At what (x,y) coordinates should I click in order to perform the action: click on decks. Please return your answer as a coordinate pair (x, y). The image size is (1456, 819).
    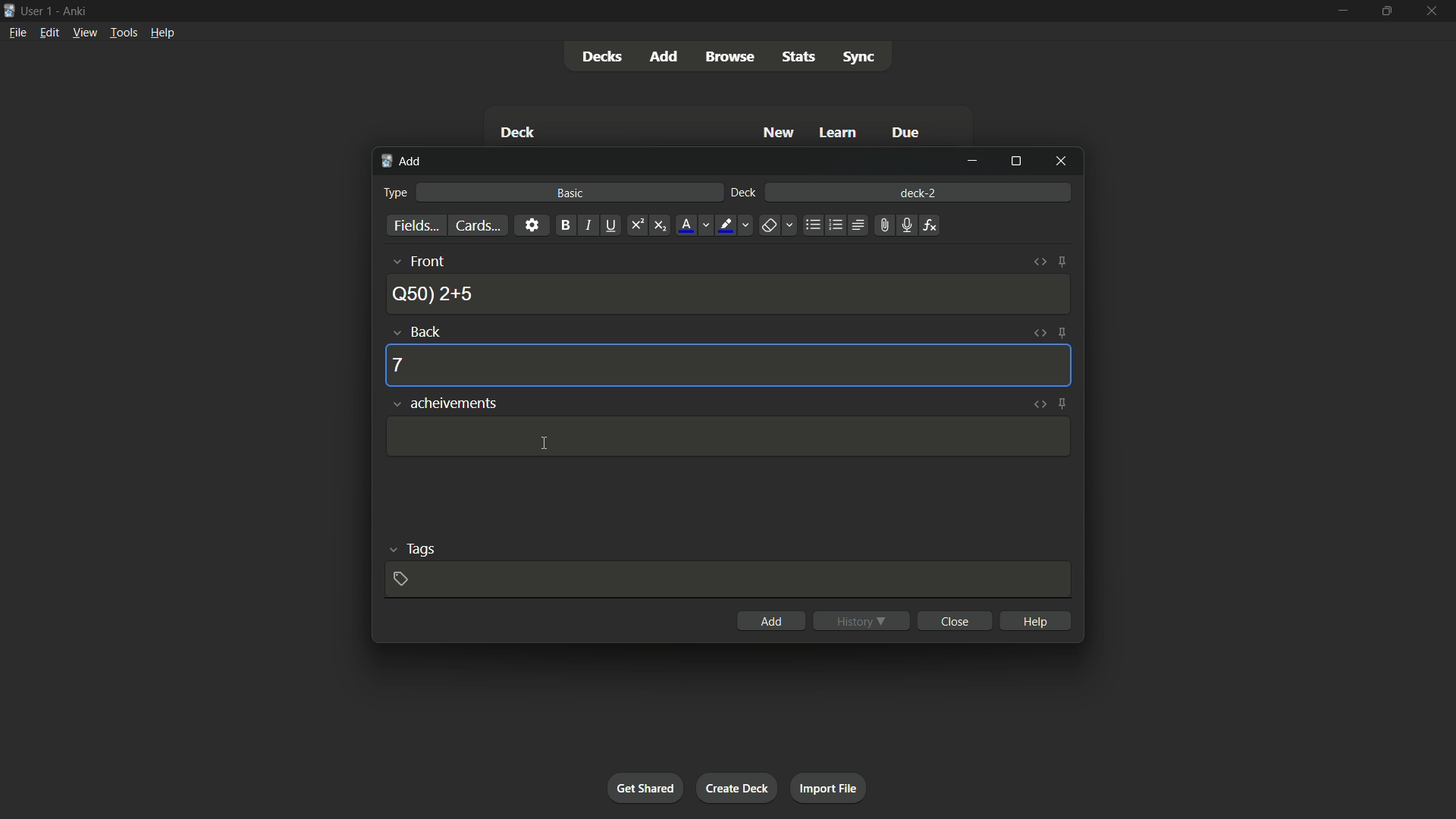
    Looking at the image, I should click on (600, 56).